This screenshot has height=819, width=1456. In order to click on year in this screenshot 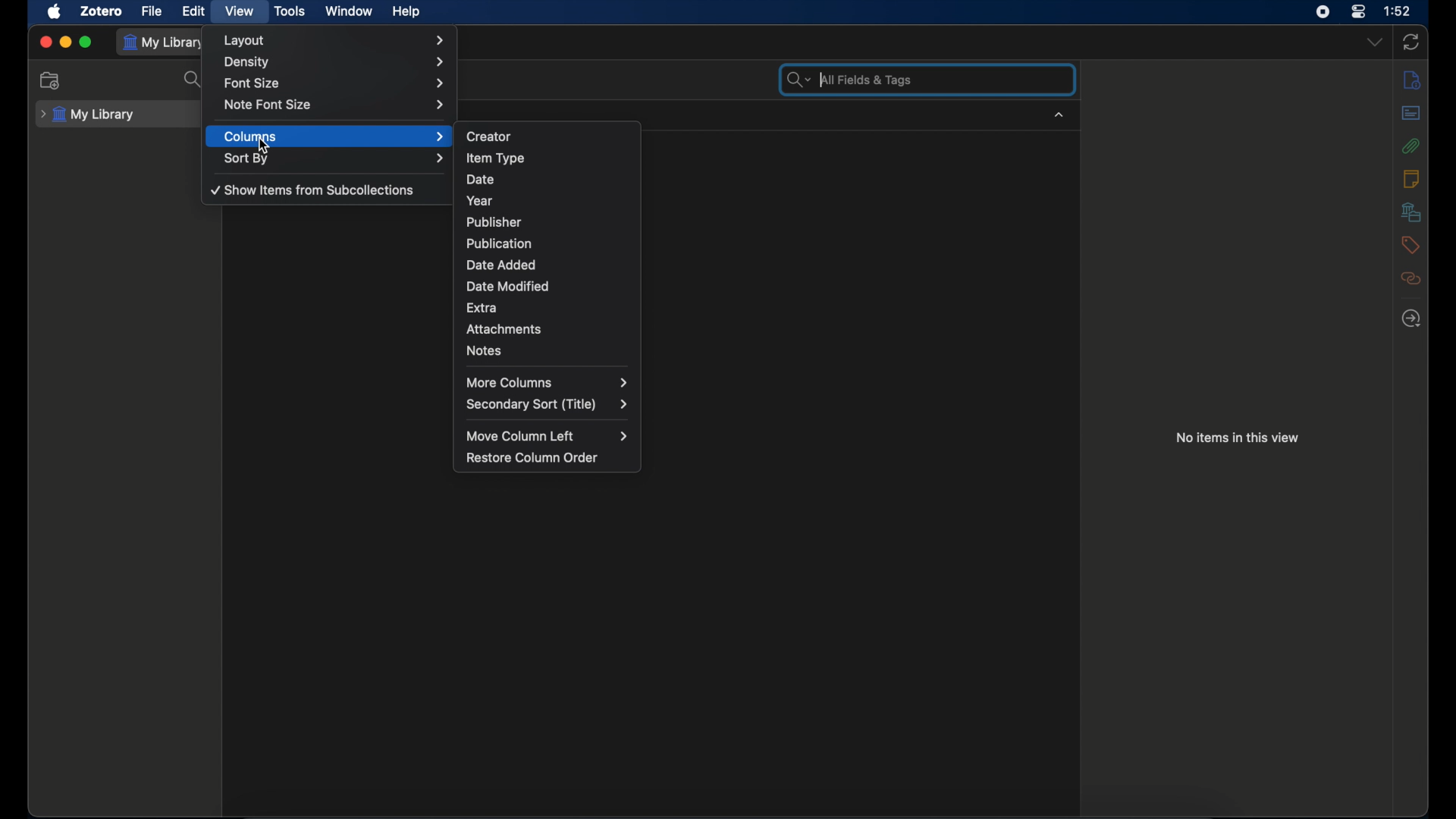, I will do `click(481, 201)`.